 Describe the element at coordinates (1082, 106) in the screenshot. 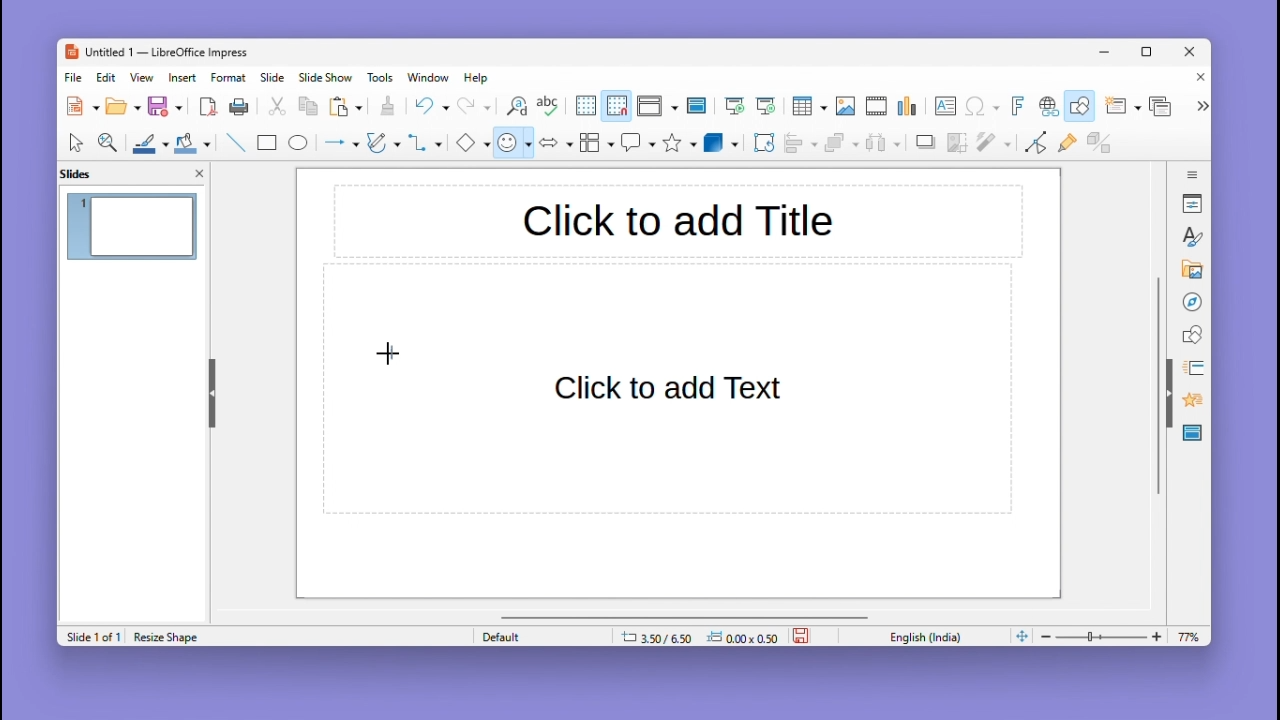

I see `Draw function` at that location.